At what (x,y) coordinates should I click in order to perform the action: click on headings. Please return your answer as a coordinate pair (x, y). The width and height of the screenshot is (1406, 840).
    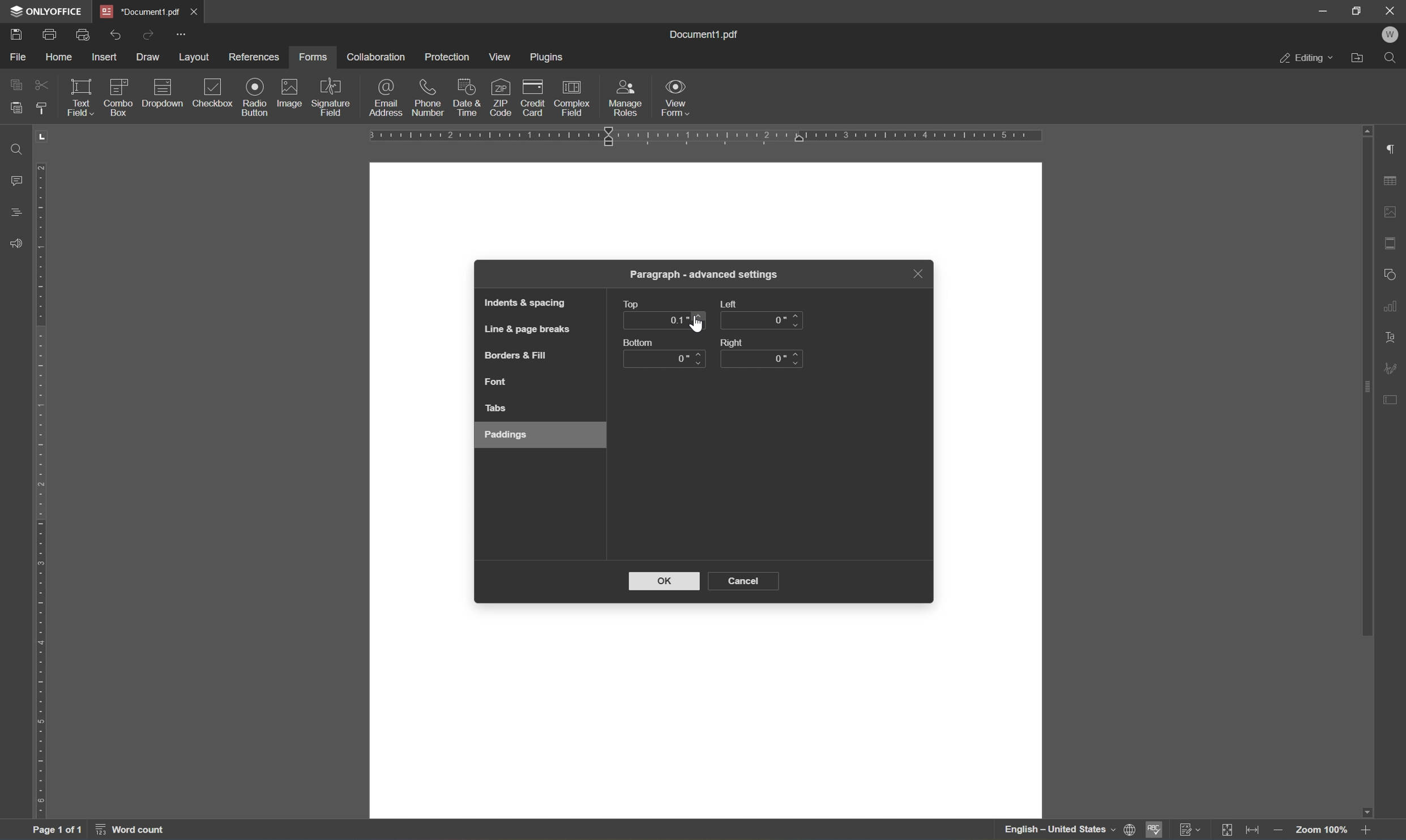
    Looking at the image, I should click on (16, 212).